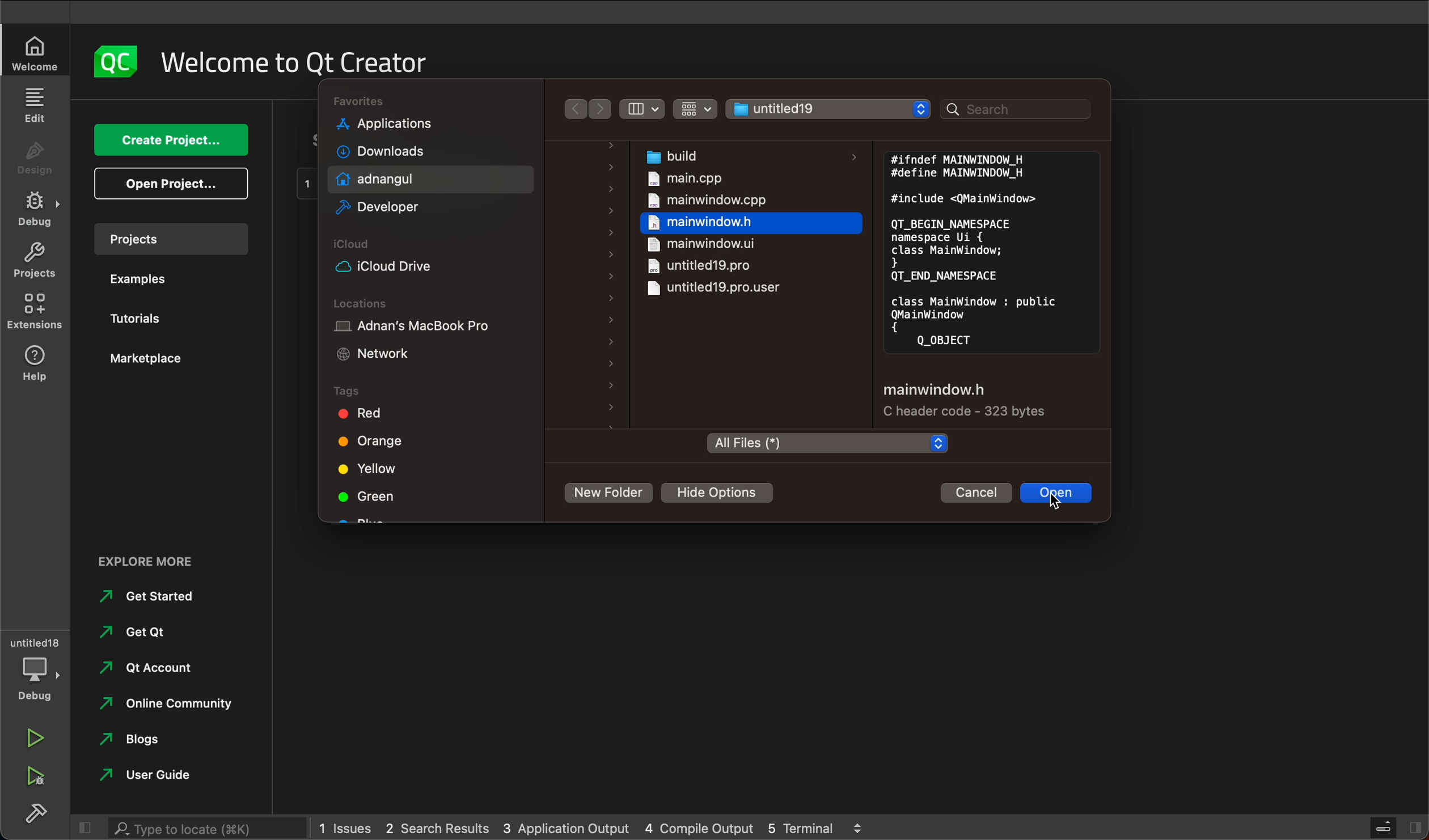  I want to click on blogs, so click(141, 738).